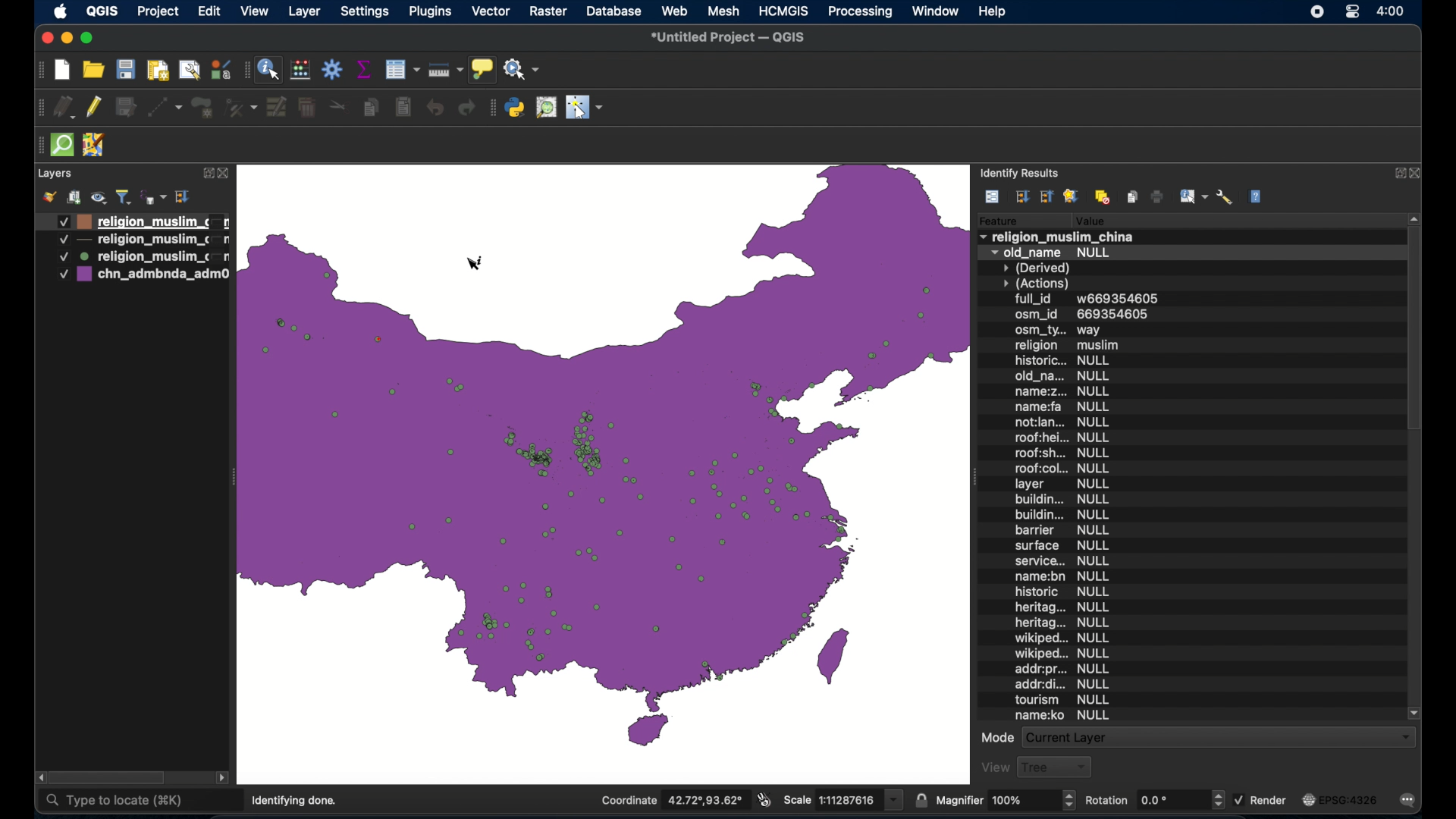 This screenshot has width=1456, height=819. Describe the element at coordinates (491, 11) in the screenshot. I see `vector` at that location.